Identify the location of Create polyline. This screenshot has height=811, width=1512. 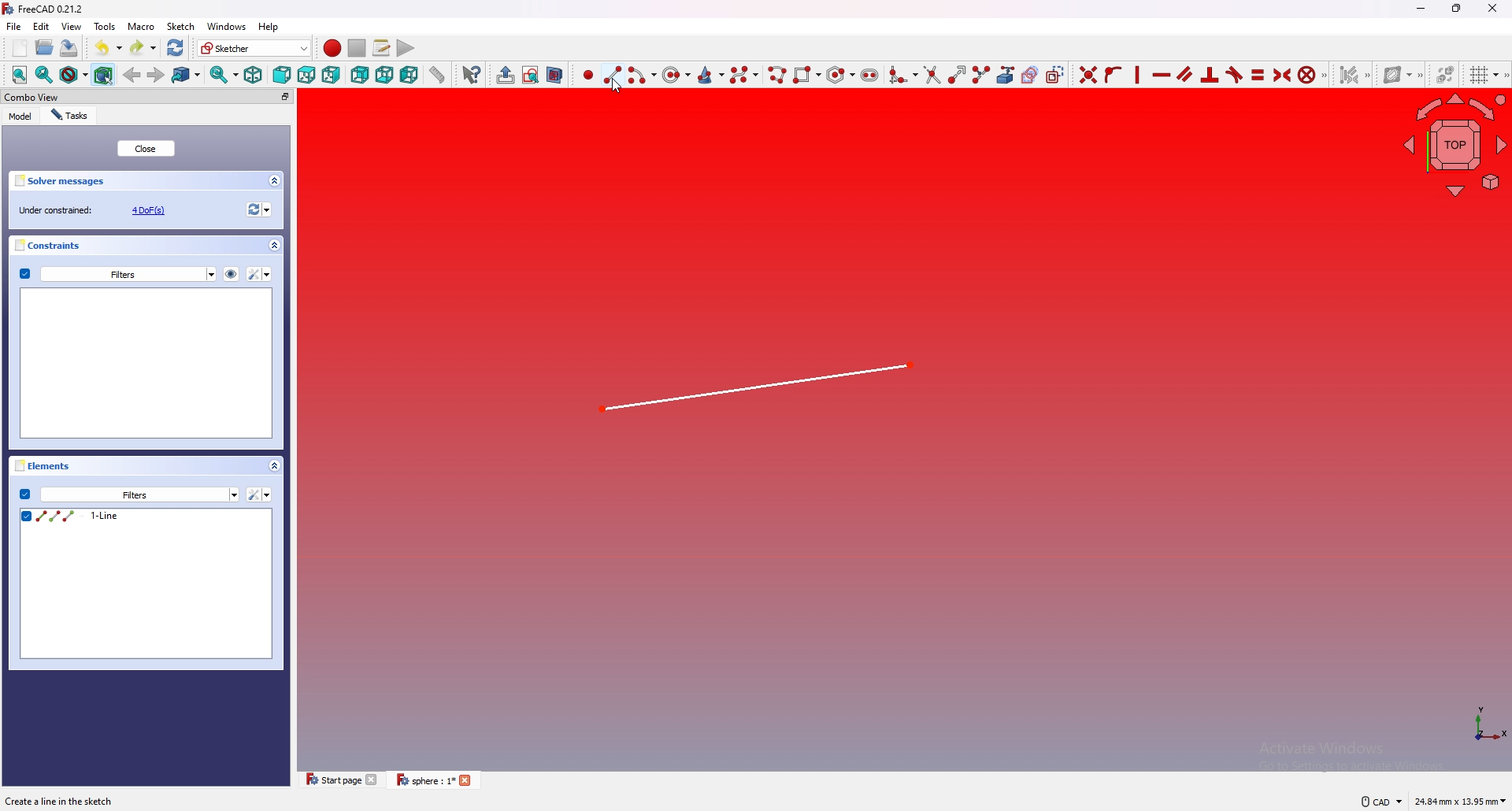
(776, 74).